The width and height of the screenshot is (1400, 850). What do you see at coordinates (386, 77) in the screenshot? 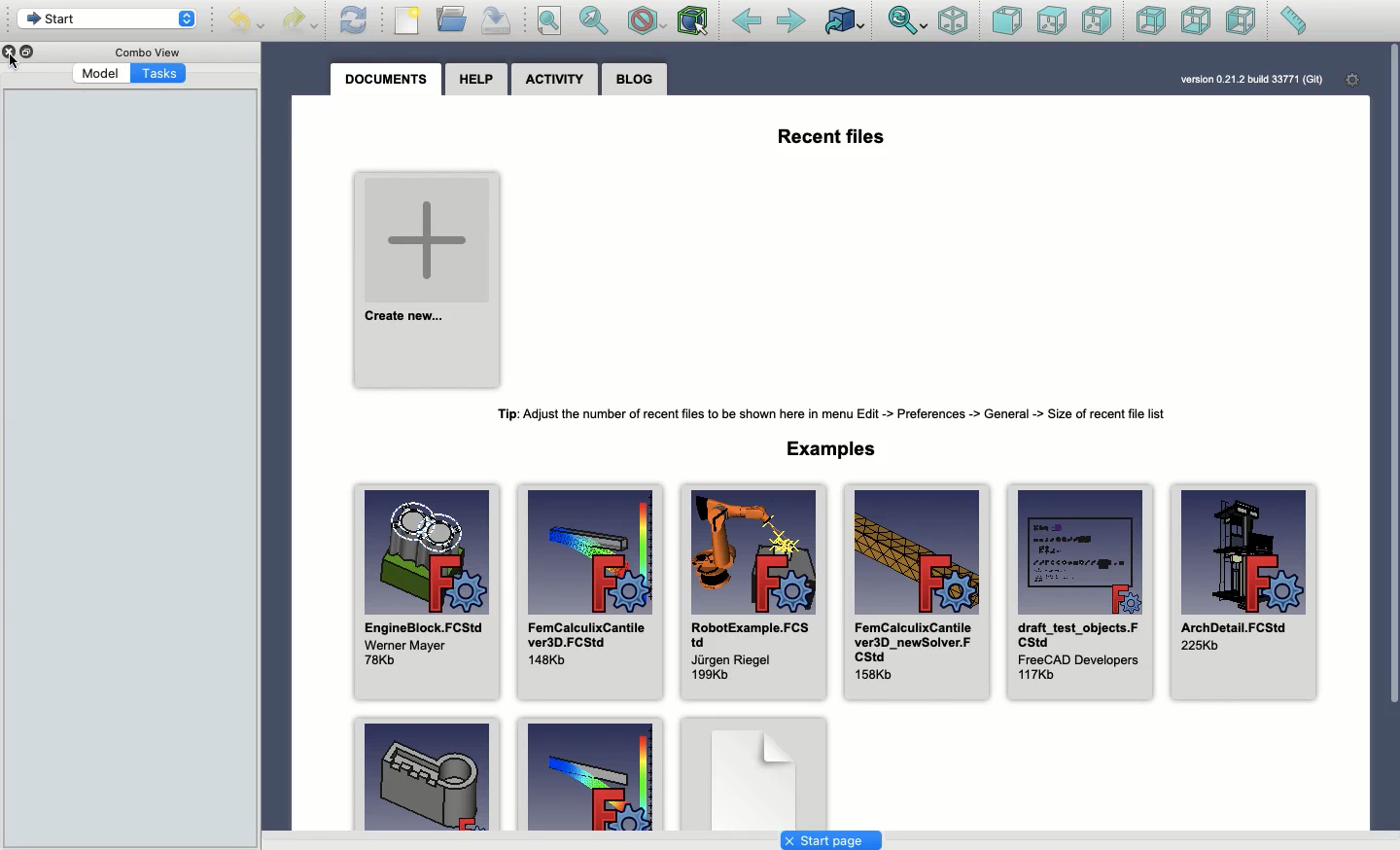
I see `Documents` at bounding box center [386, 77].